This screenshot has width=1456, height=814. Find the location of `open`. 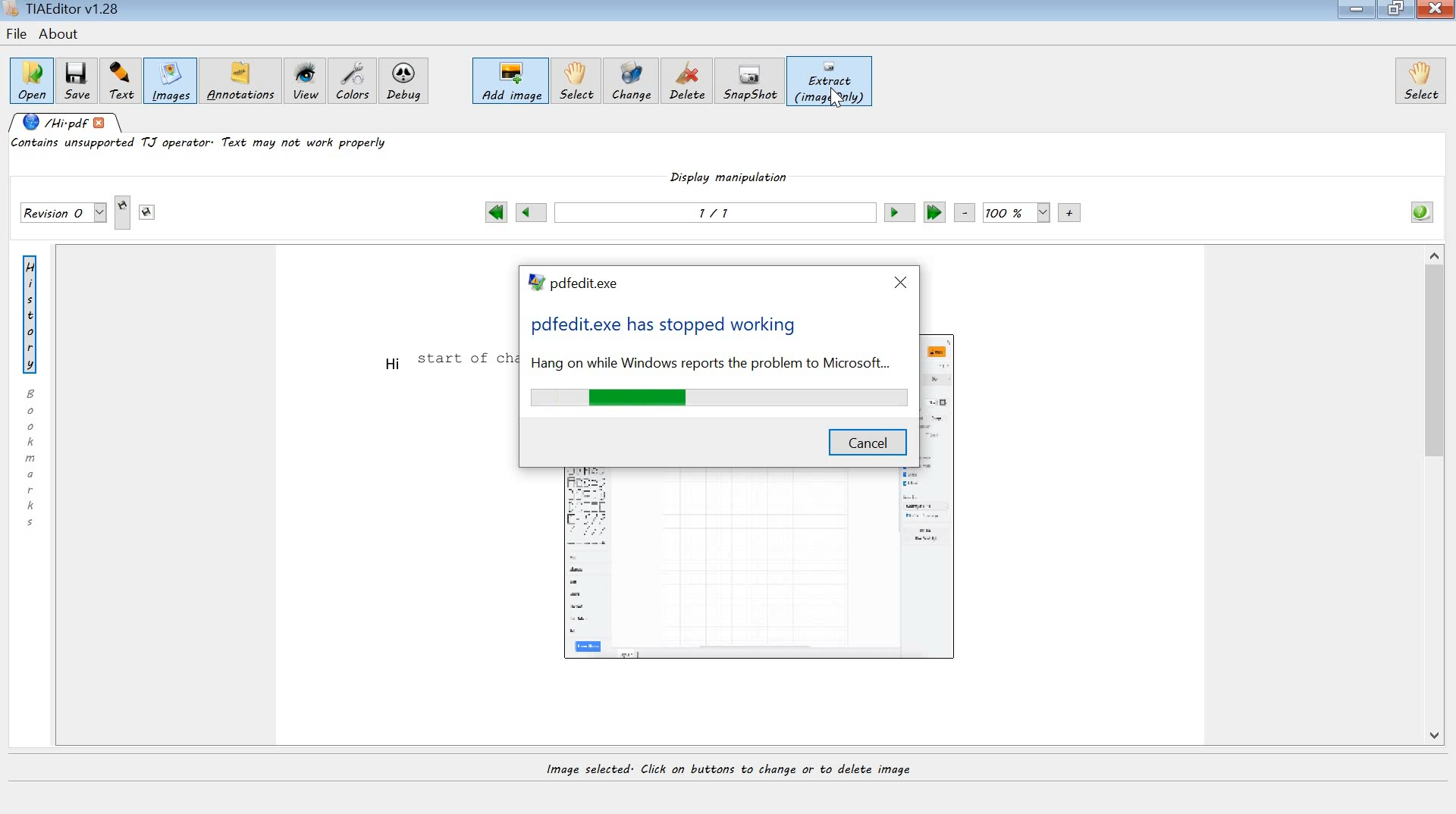

open is located at coordinates (31, 79).